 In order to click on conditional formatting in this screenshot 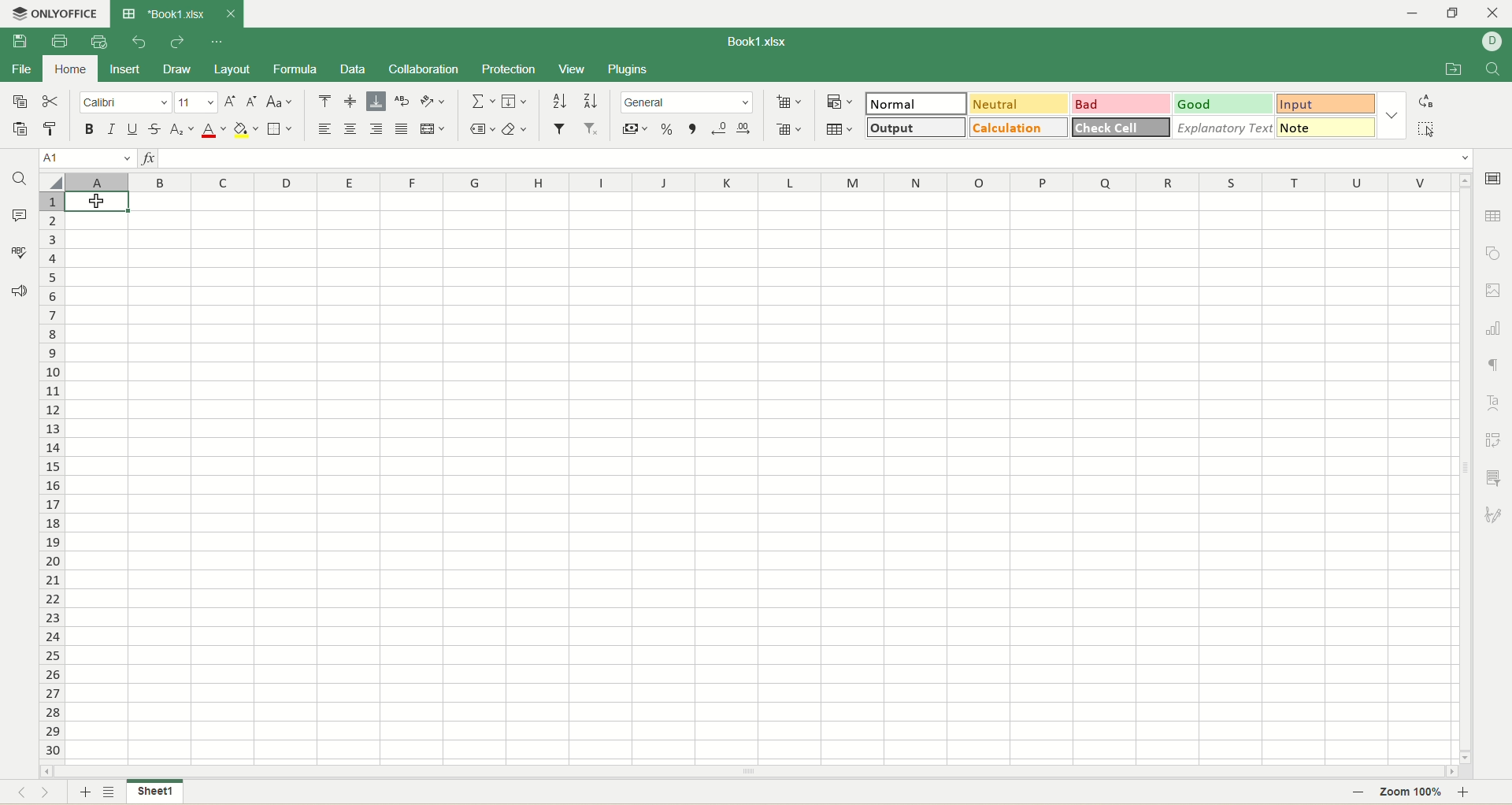, I will do `click(838, 101)`.